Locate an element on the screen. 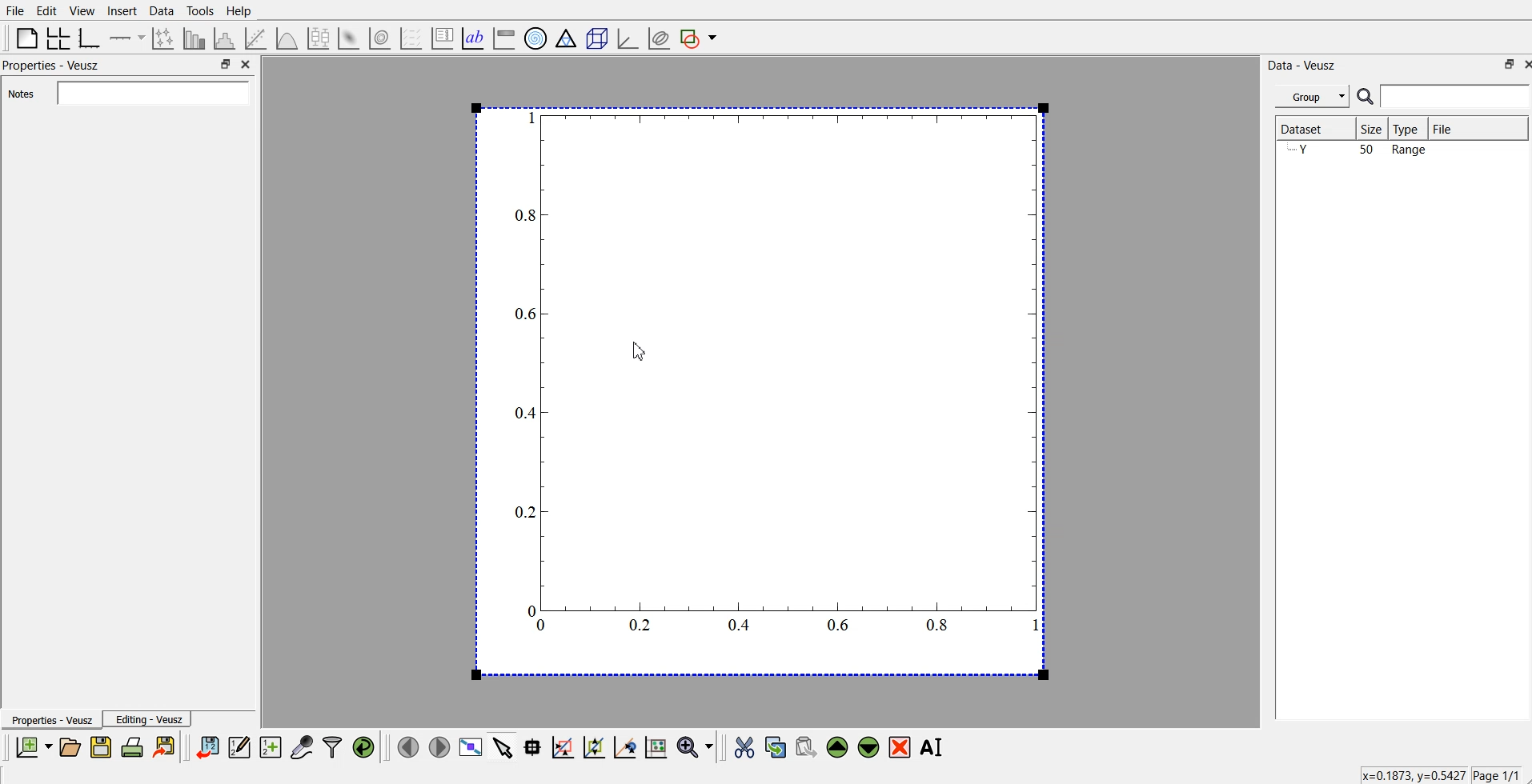 The width and height of the screenshot is (1532, 784). recenter graph axes is located at coordinates (624, 747).